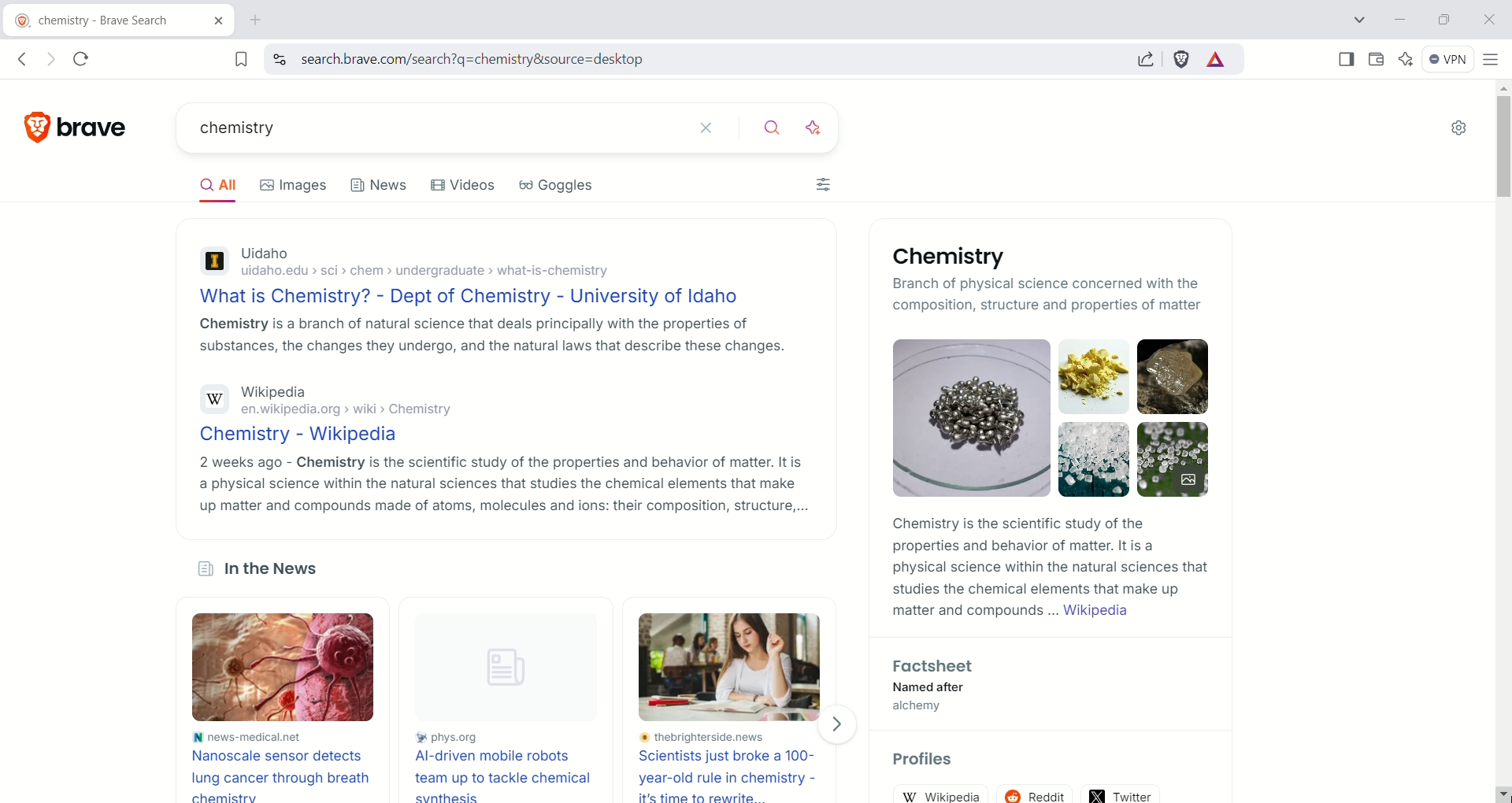 The width and height of the screenshot is (1512, 803). Describe the element at coordinates (295, 669) in the screenshot. I see `image` at that location.